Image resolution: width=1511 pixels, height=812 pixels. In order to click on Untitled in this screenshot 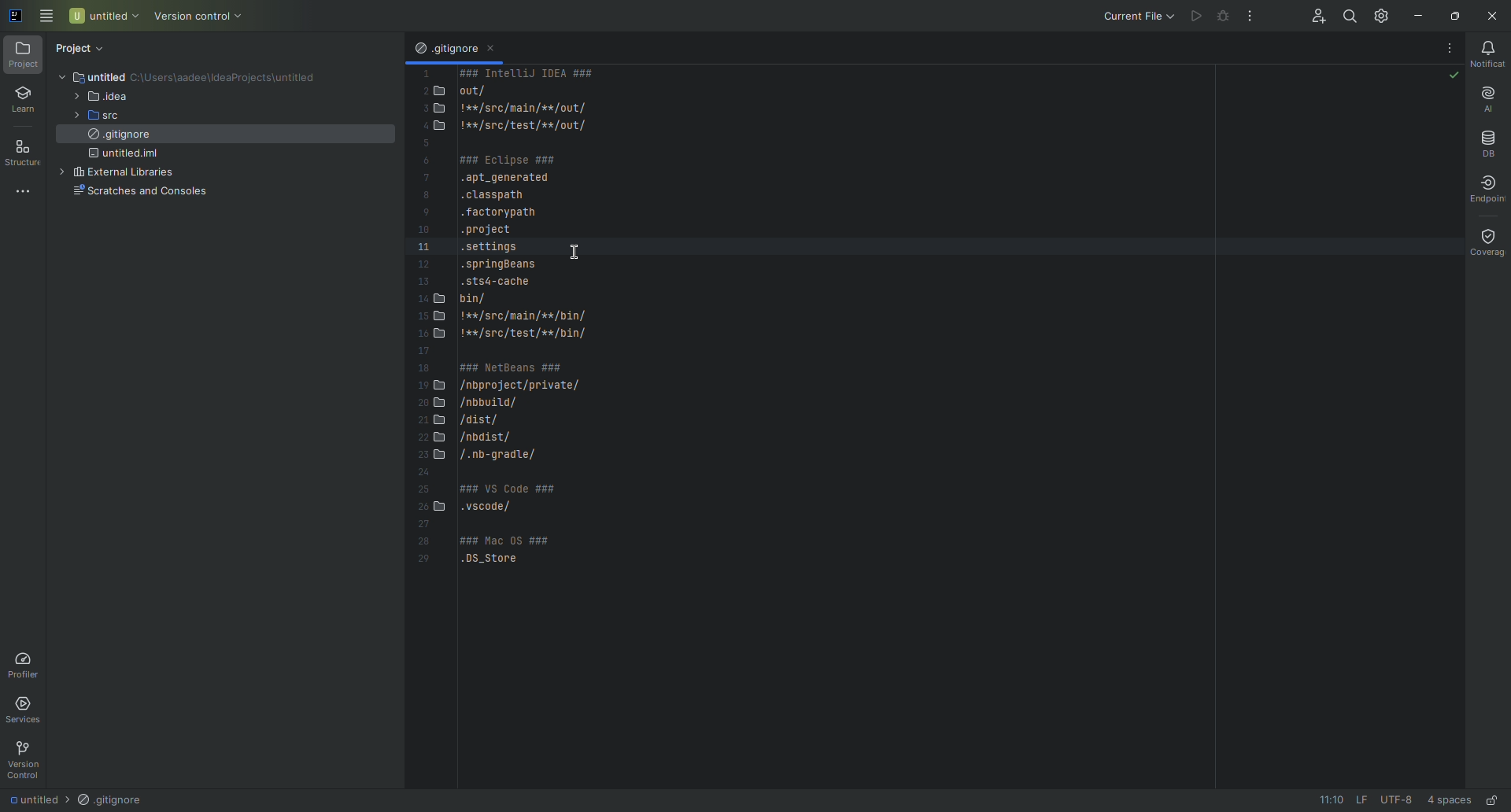, I will do `click(104, 15)`.